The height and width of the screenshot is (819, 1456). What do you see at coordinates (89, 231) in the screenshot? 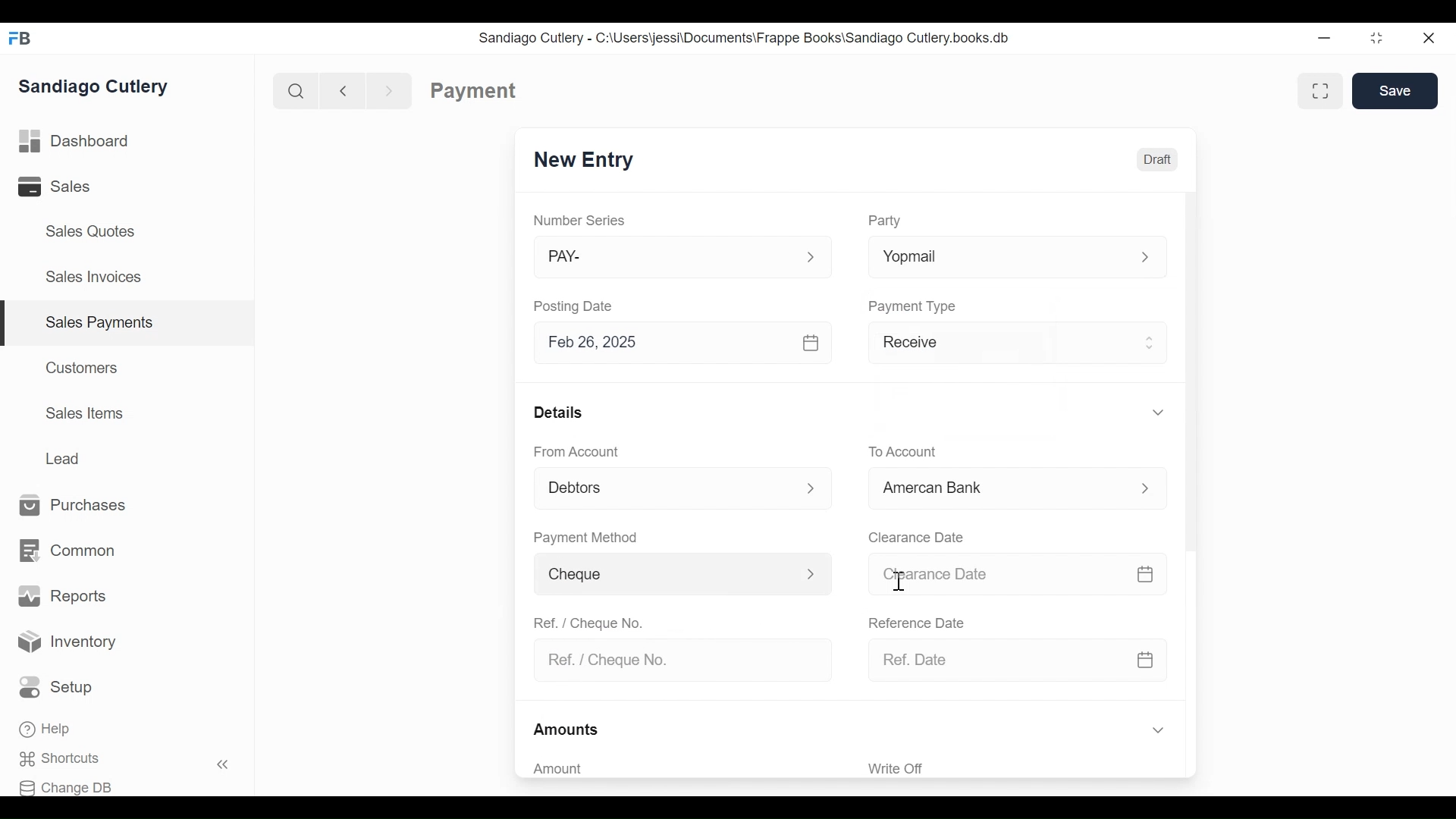
I see `Sales Quotes` at bounding box center [89, 231].